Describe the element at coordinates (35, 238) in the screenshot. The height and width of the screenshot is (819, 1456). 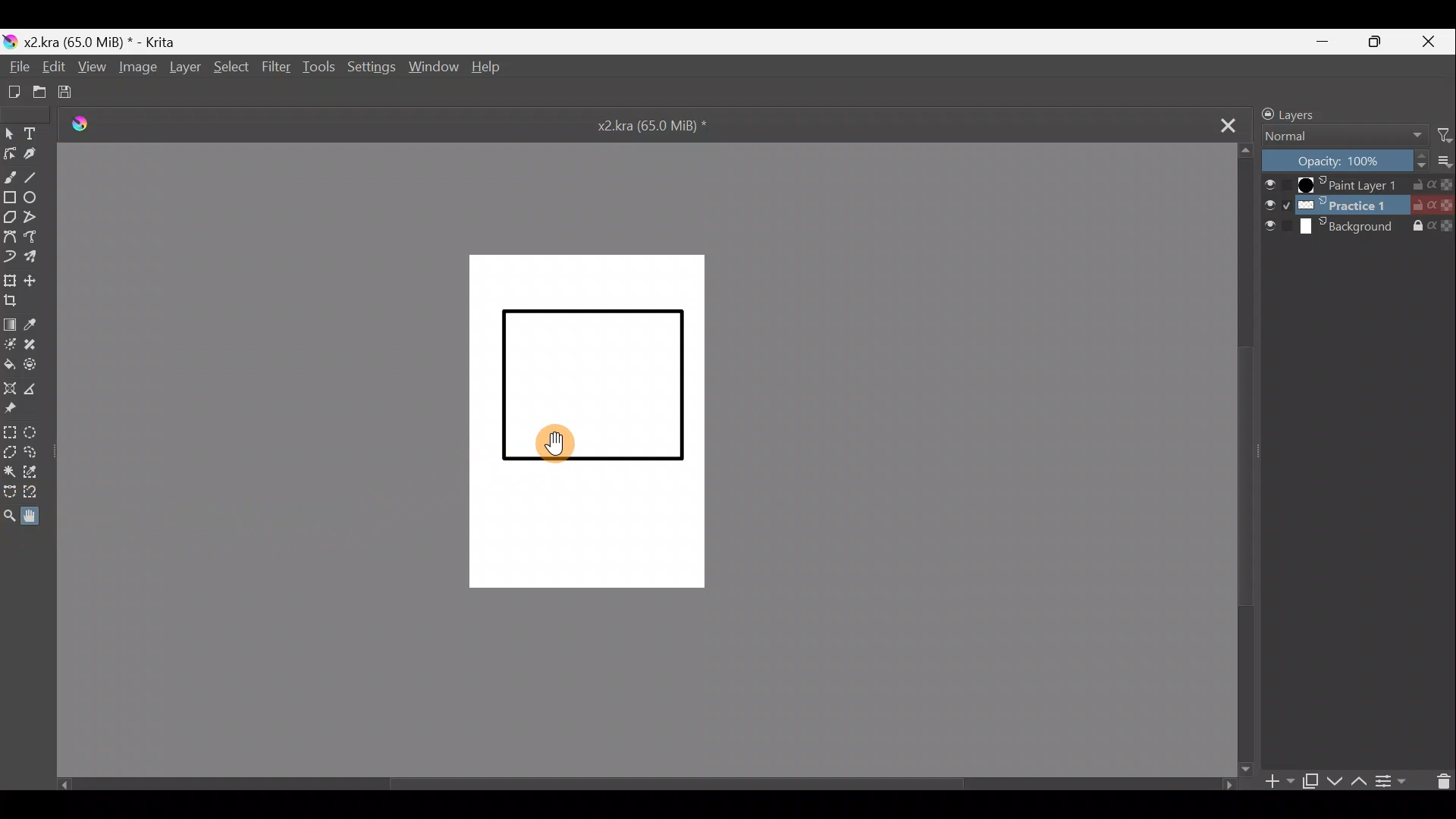
I see `Freehand path tool` at that location.